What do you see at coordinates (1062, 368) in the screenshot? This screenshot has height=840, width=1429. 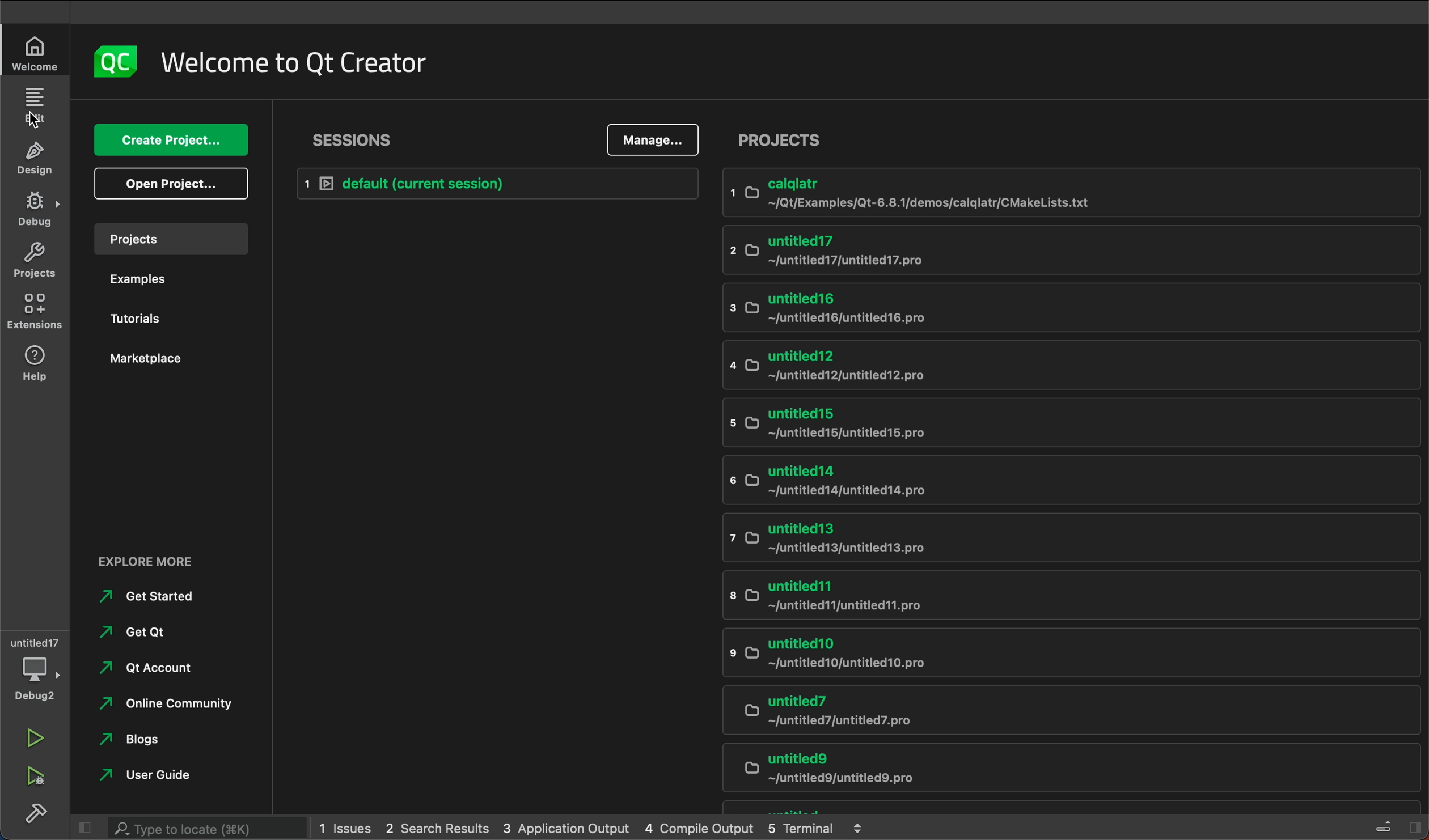 I see `untitled12` at bounding box center [1062, 368].